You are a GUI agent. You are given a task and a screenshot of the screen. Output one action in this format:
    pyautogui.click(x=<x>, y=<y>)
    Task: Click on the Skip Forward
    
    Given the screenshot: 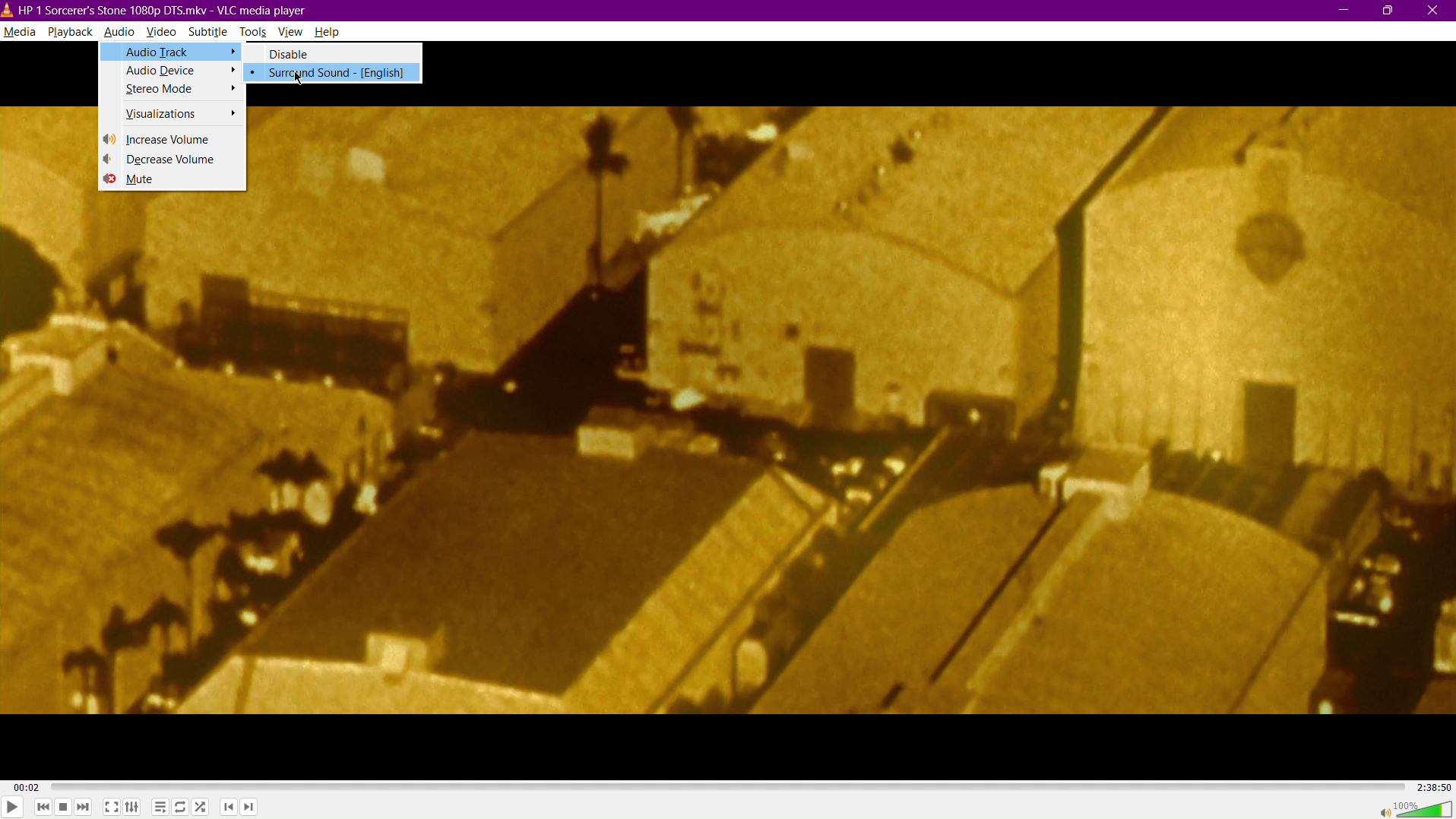 What is the action you would take?
    pyautogui.click(x=84, y=808)
    